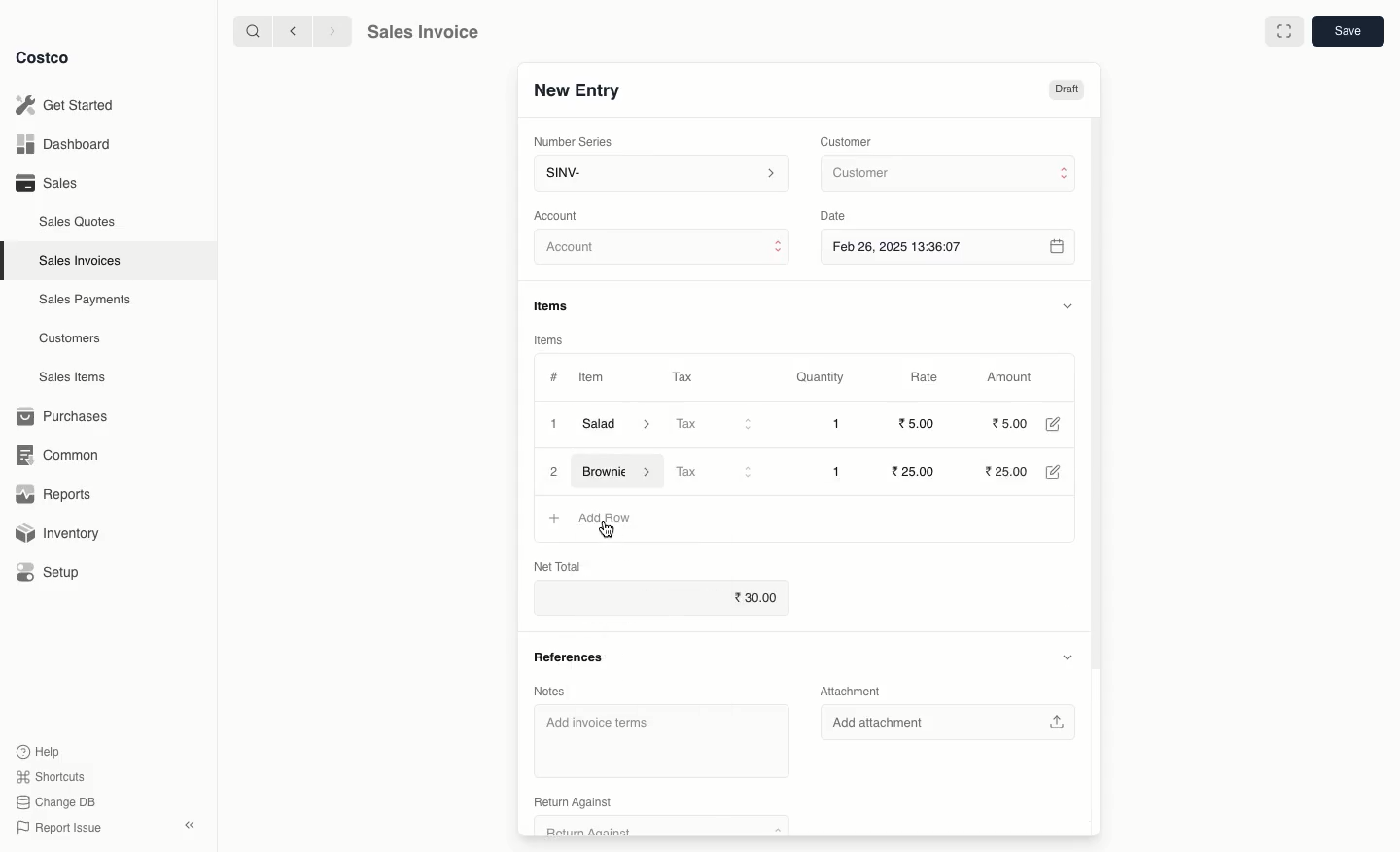 The width and height of the screenshot is (1400, 852). What do you see at coordinates (70, 337) in the screenshot?
I see `Customers` at bounding box center [70, 337].